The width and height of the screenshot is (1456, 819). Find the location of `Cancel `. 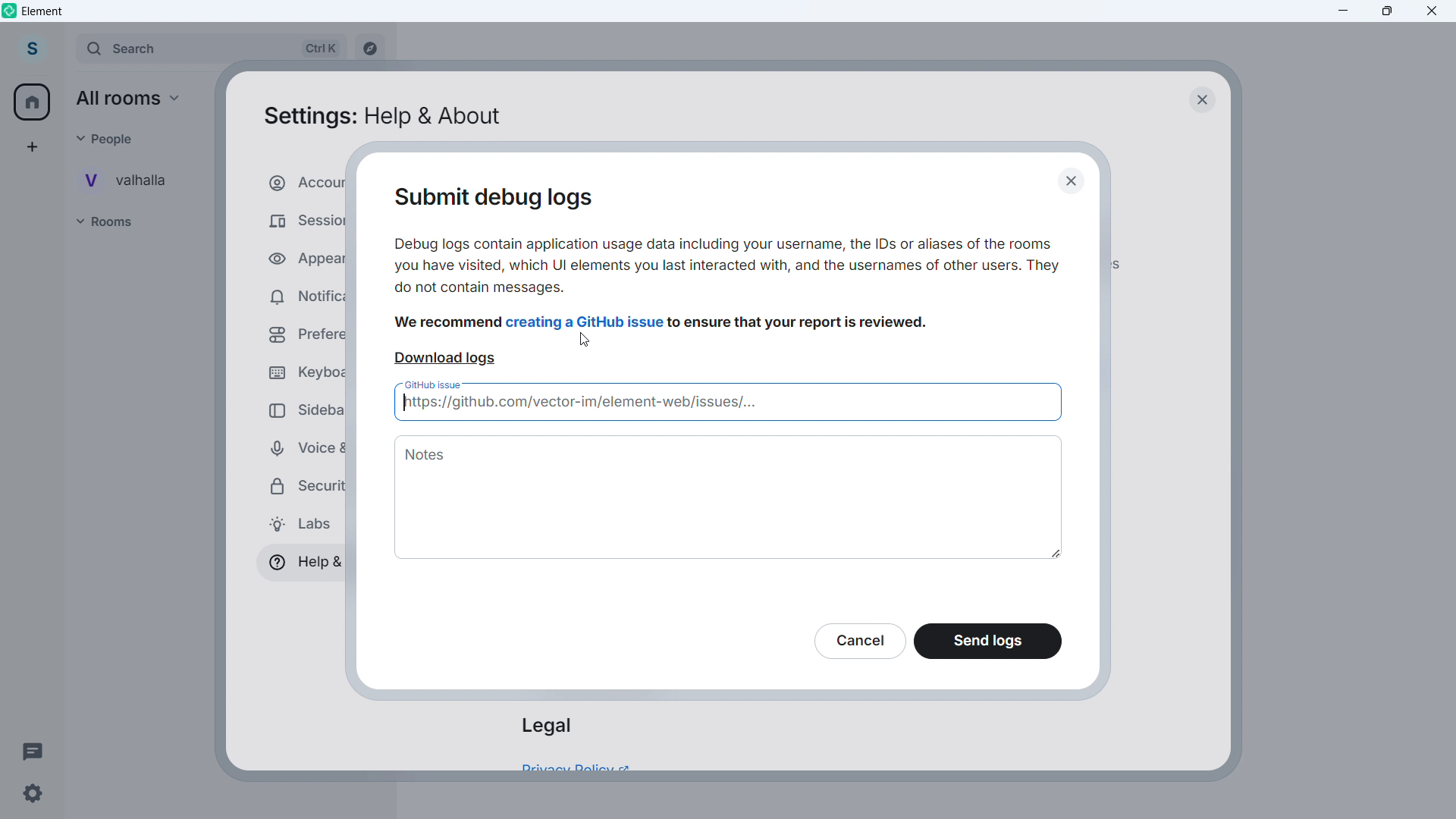

Cancel  is located at coordinates (858, 641).